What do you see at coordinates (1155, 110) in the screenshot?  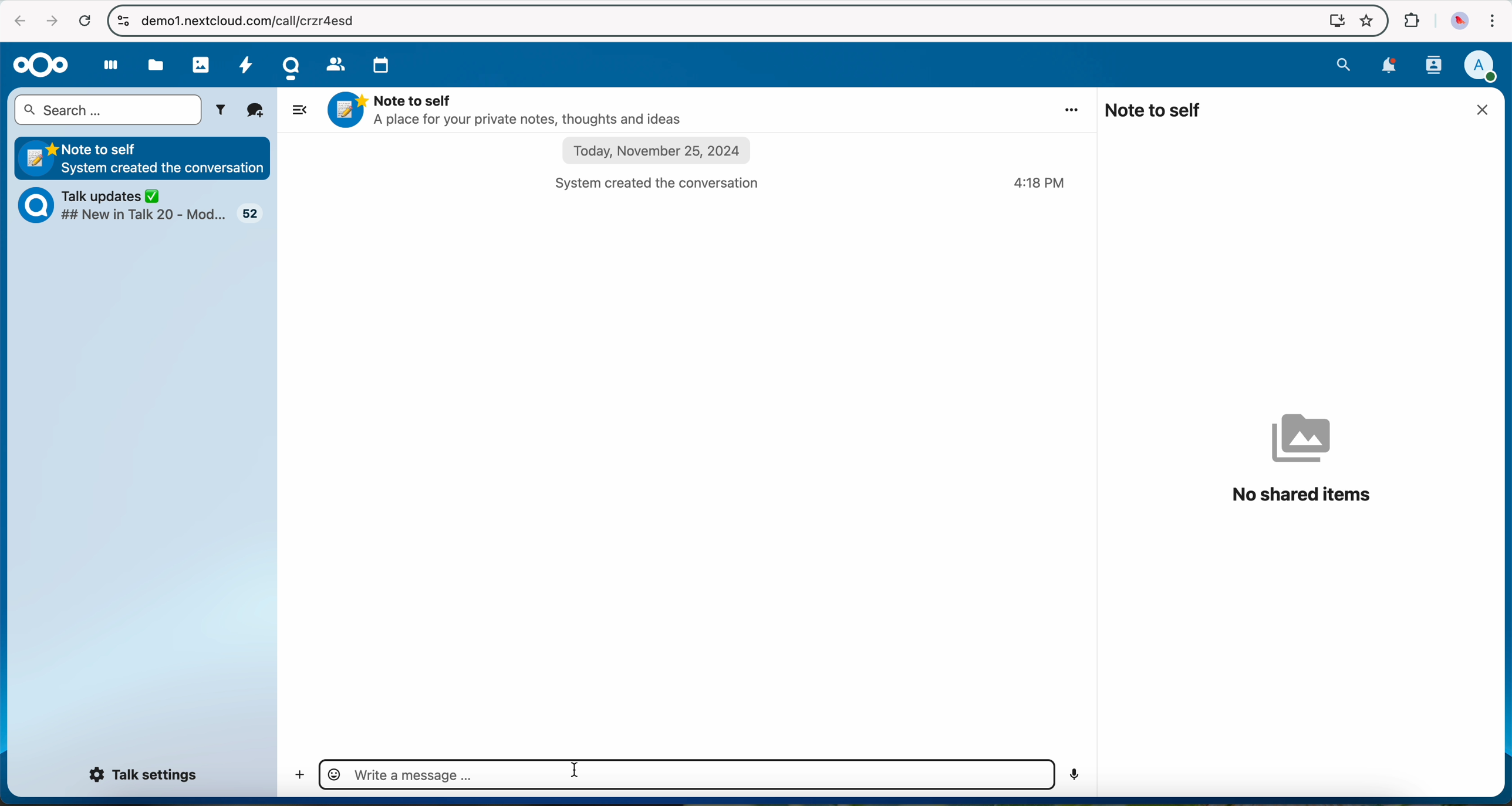 I see `note to self` at bounding box center [1155, 110].